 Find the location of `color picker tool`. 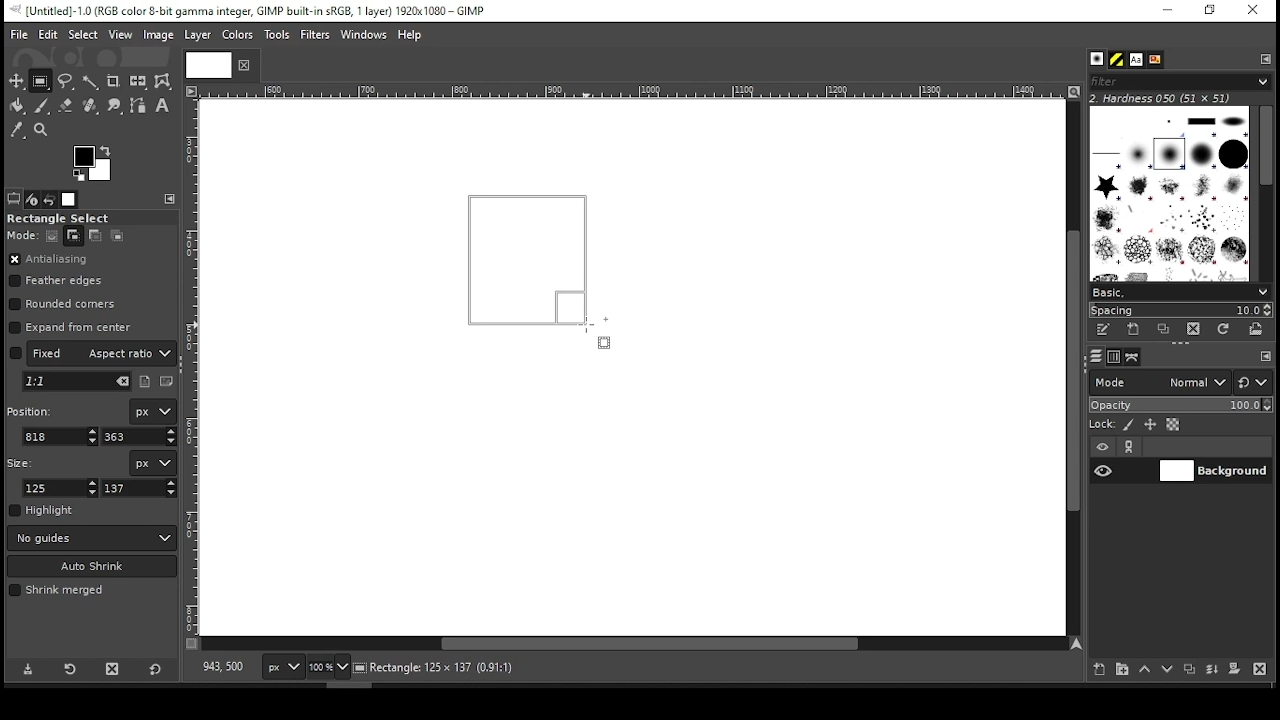

color picker tool is located at coordinates (16, 132).